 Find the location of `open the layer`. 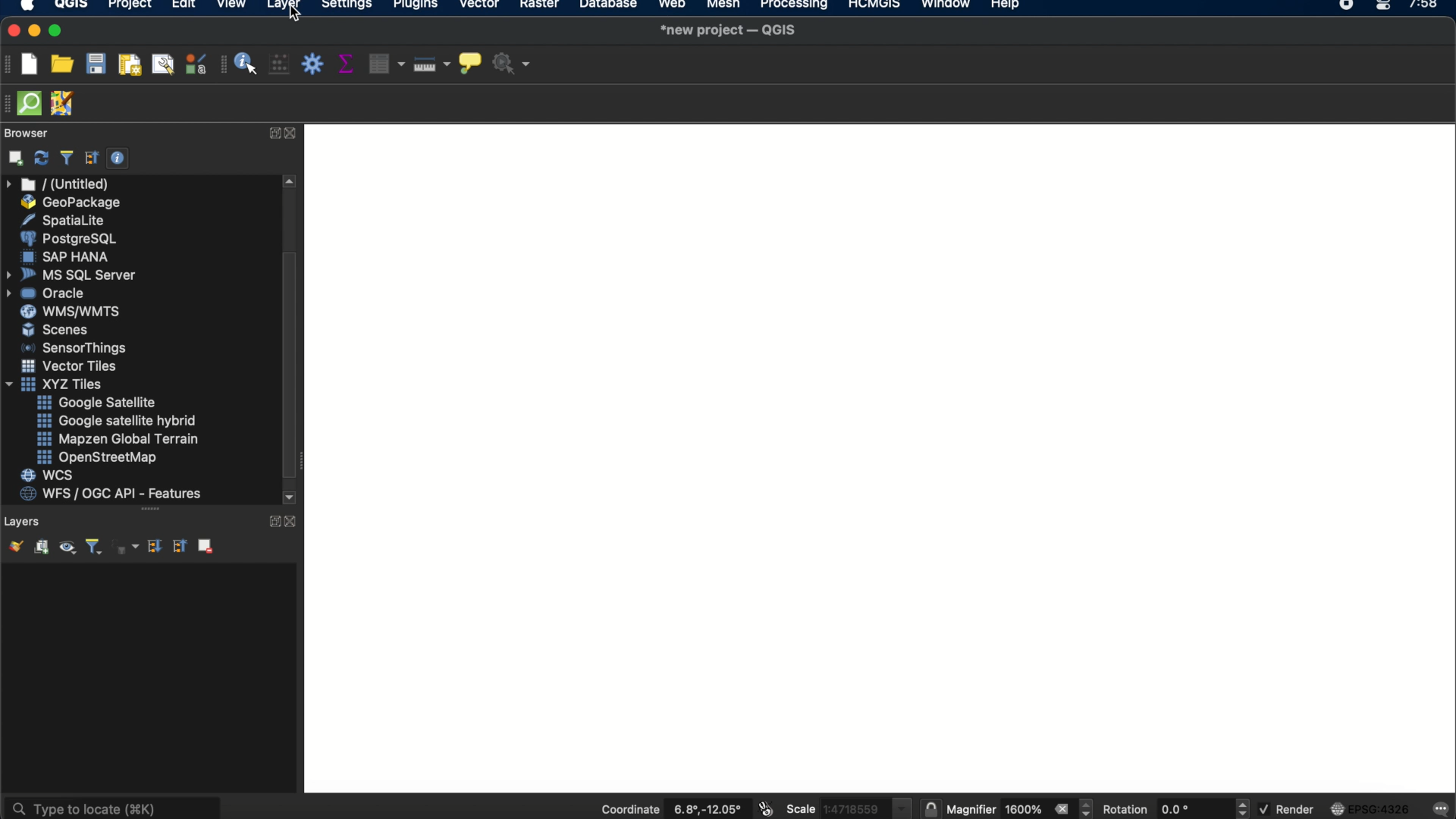

open the layer is located at coordinates (12, 546).